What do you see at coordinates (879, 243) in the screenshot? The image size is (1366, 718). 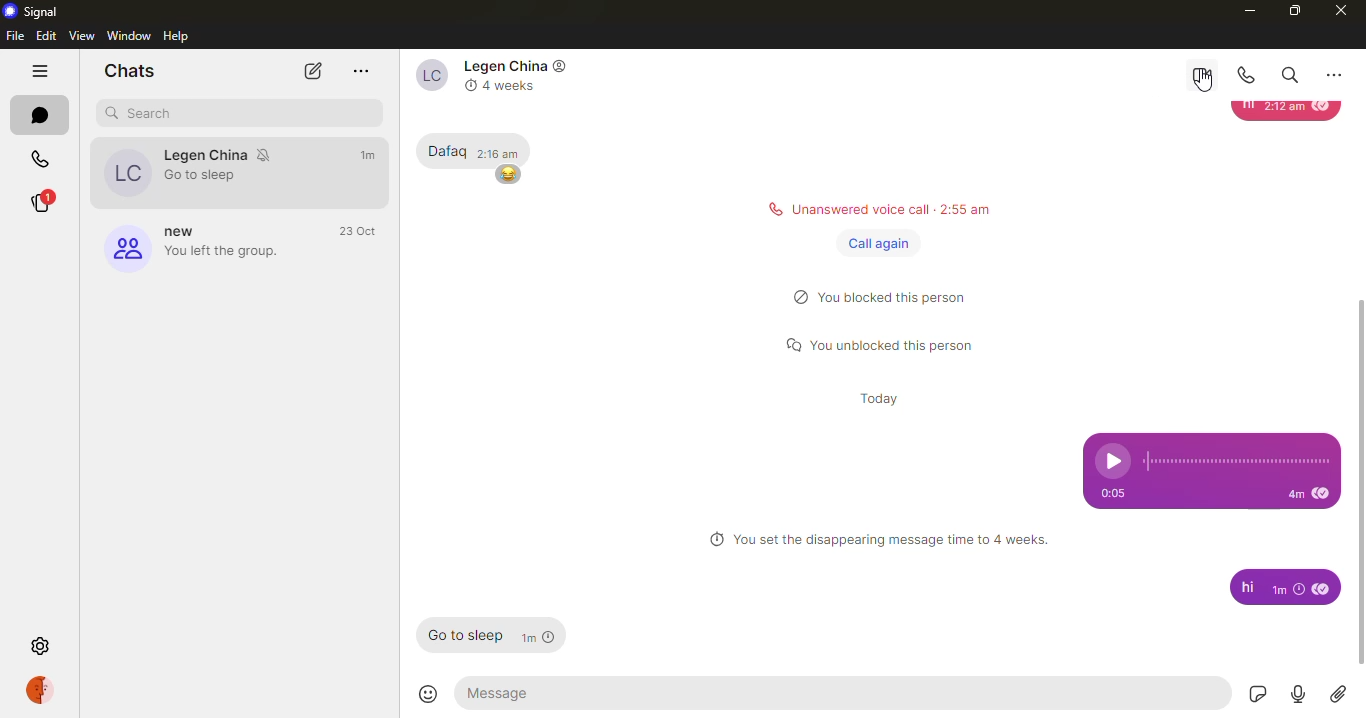 I see `call again` at bounding box center [879, 243].